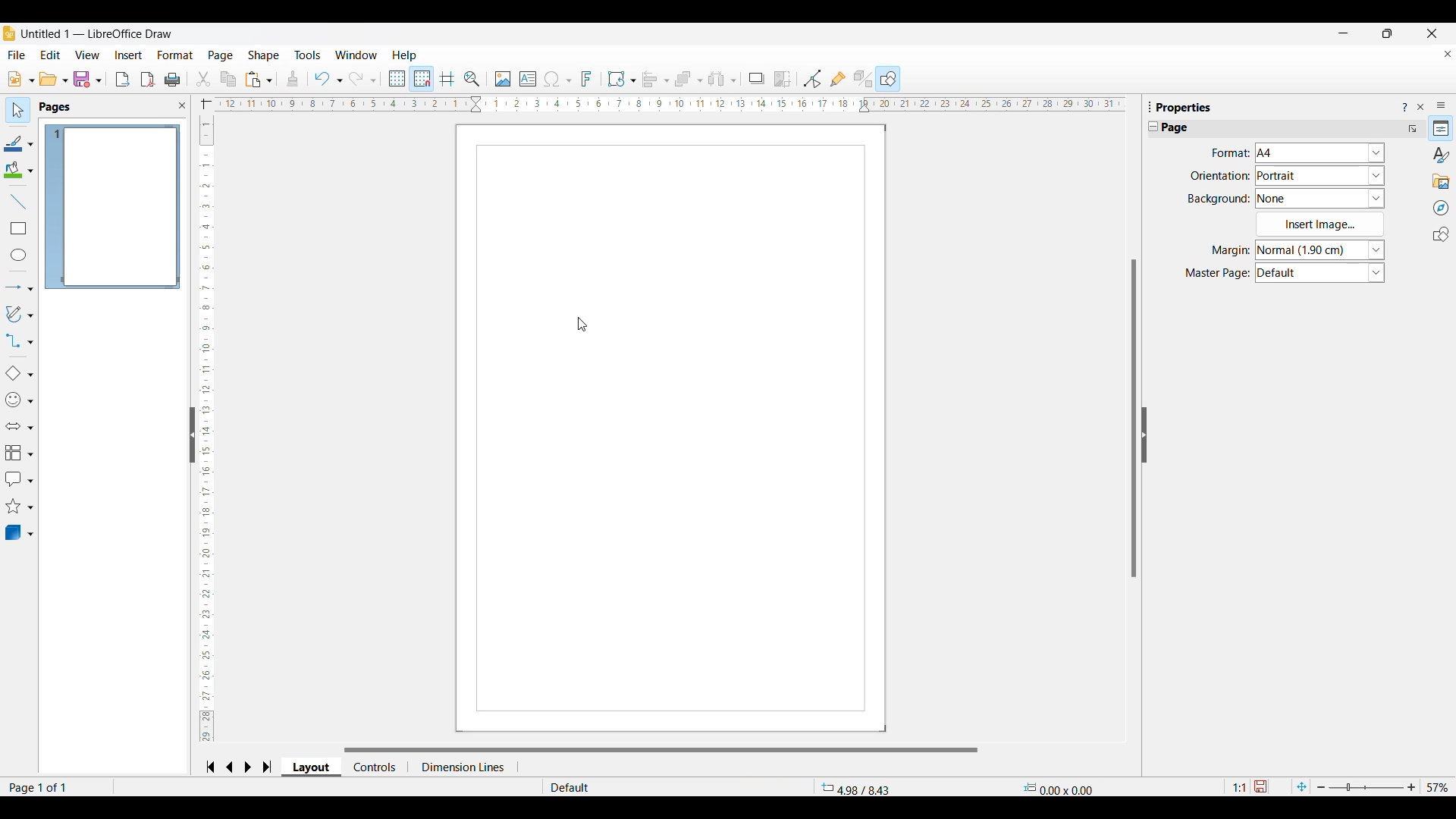  Describe the element at coordinates (783, 80) in the screenshot. I see `Crop image` at that location.